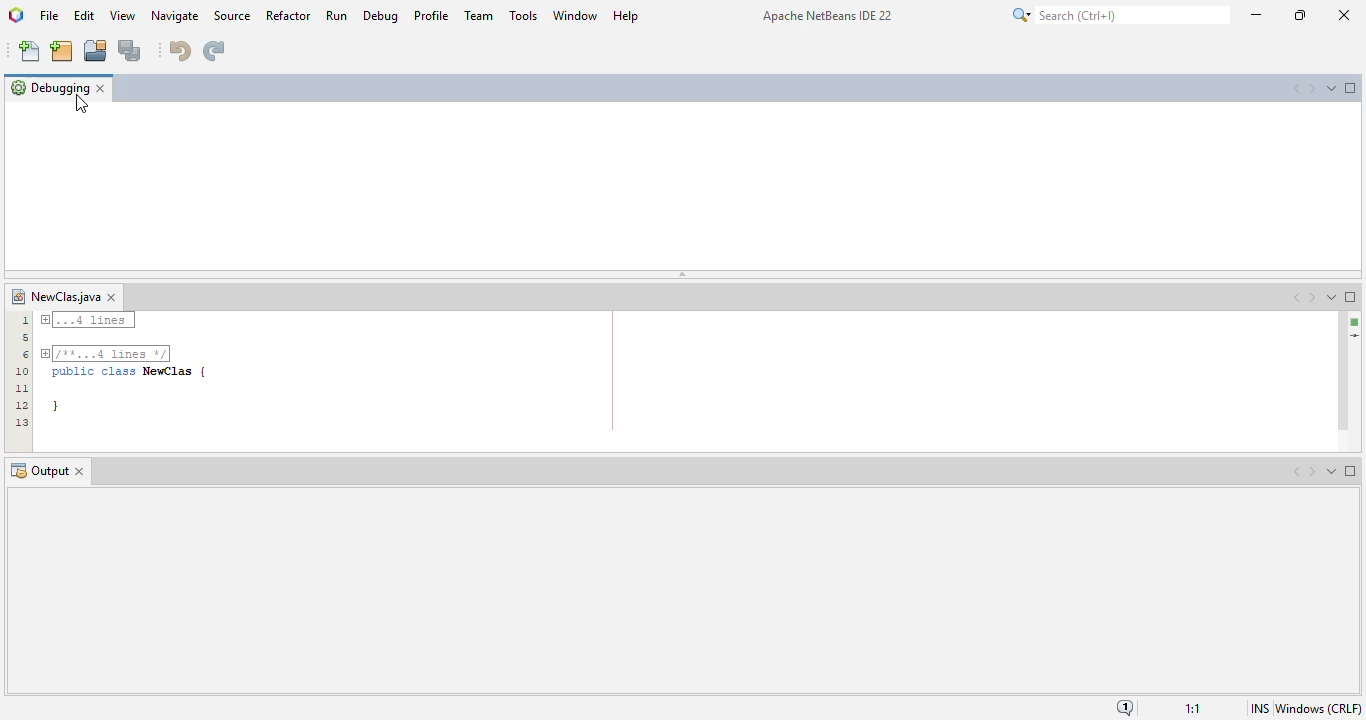 Image resolution: width=1366 pixels, height=720 pixels. I want to click on 1:1, so click(1195, 706).